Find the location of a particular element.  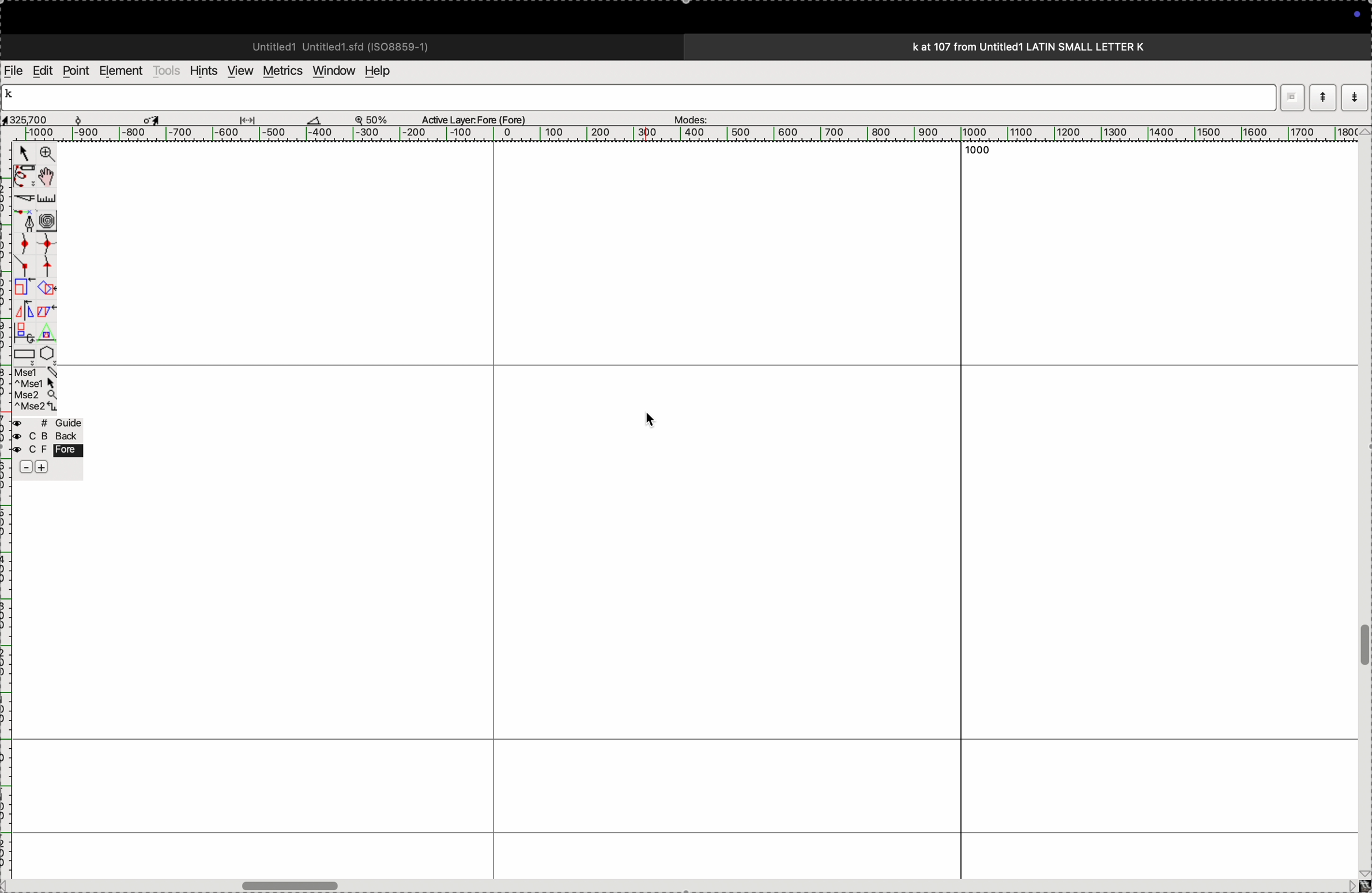

cut is located at coordinates (314, 119).